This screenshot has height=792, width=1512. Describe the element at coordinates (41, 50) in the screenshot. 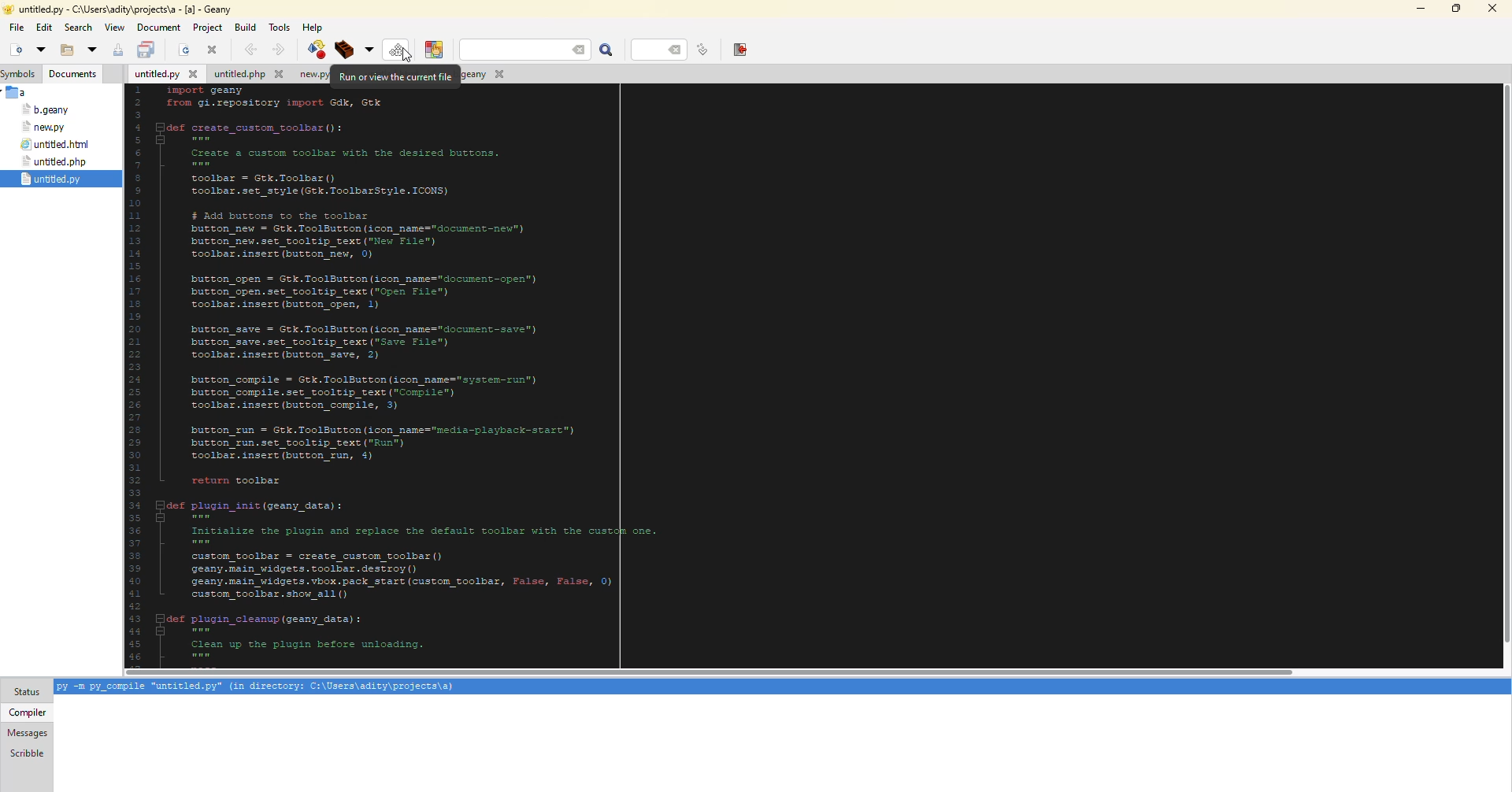

I see `open` at that location.